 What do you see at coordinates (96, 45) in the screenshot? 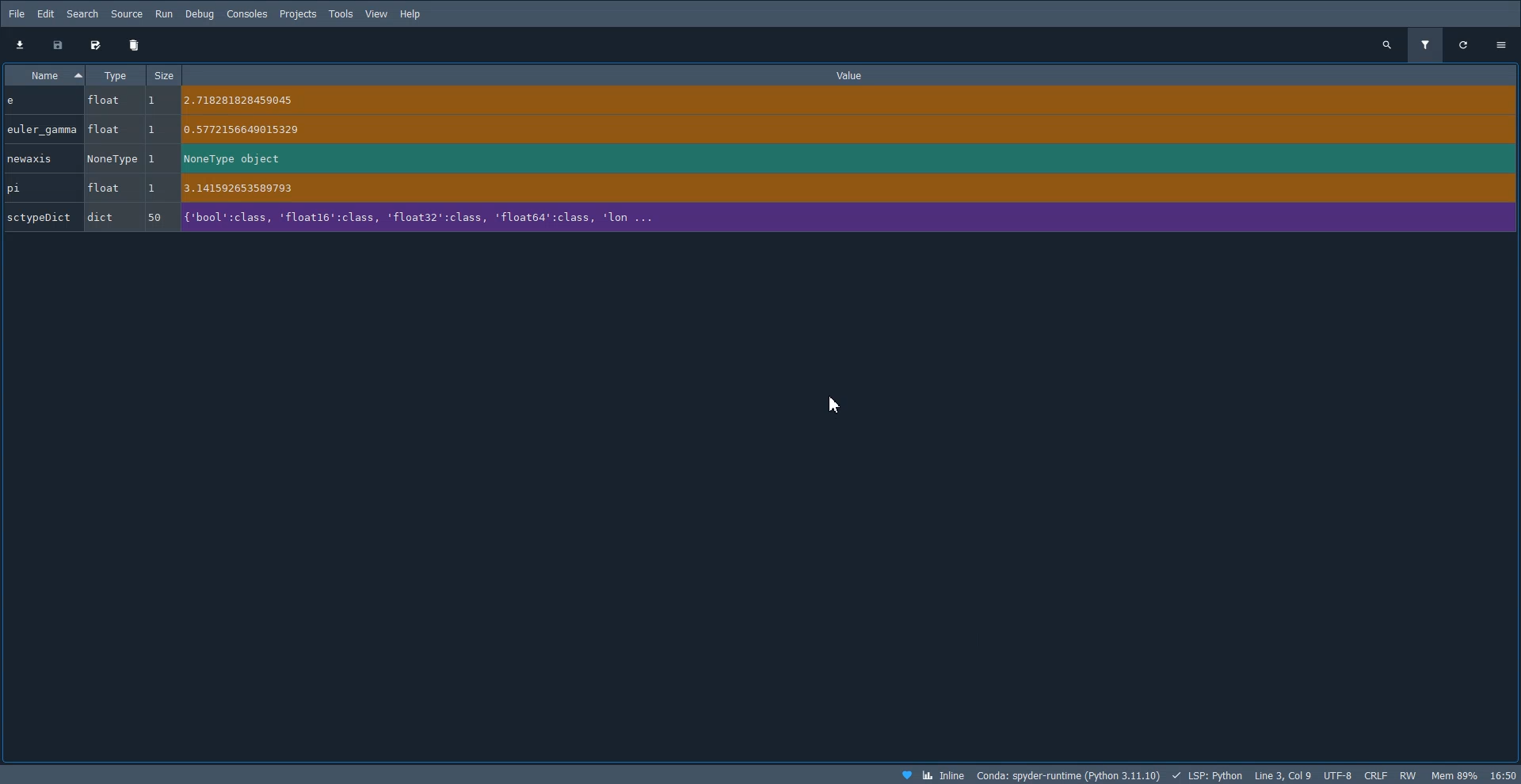
I see `Save data as` at bounding box center [96, 45].